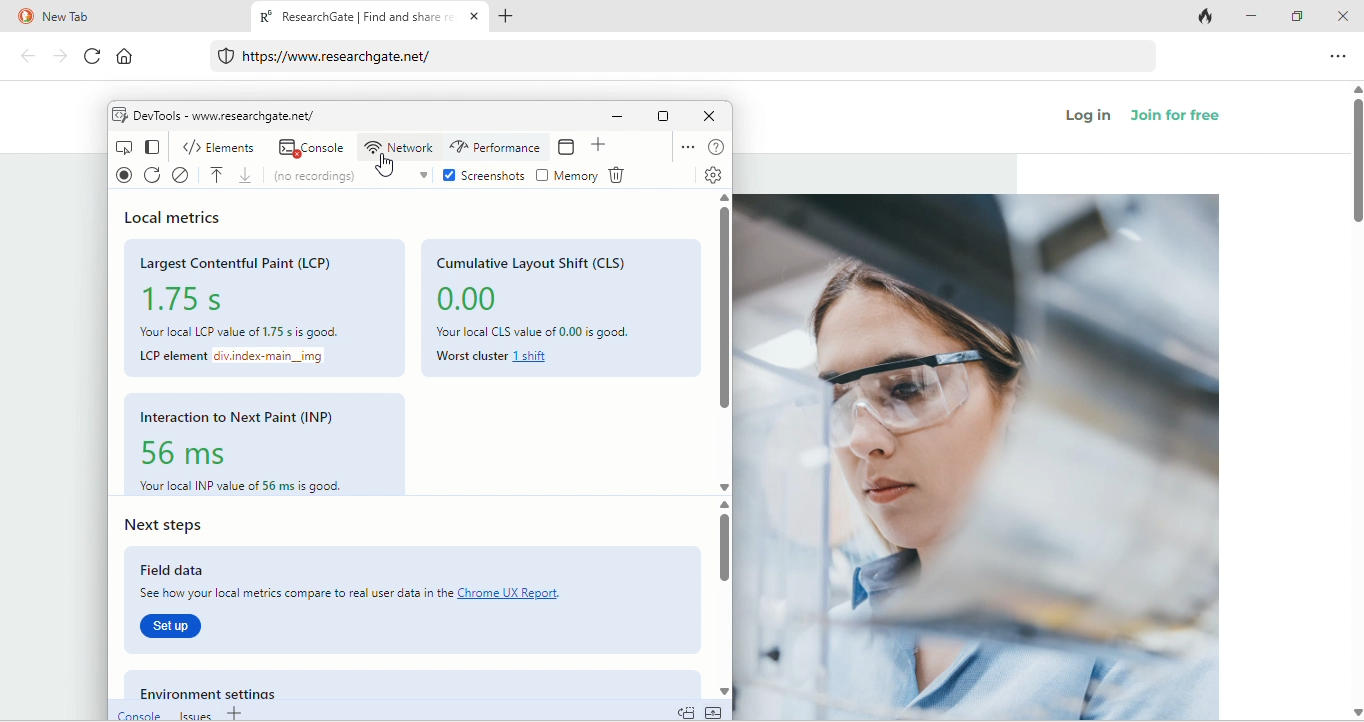 Image resolution: width=1364 pixels, height=722 pixels. I want to click on track tab, so click(1208, 18).